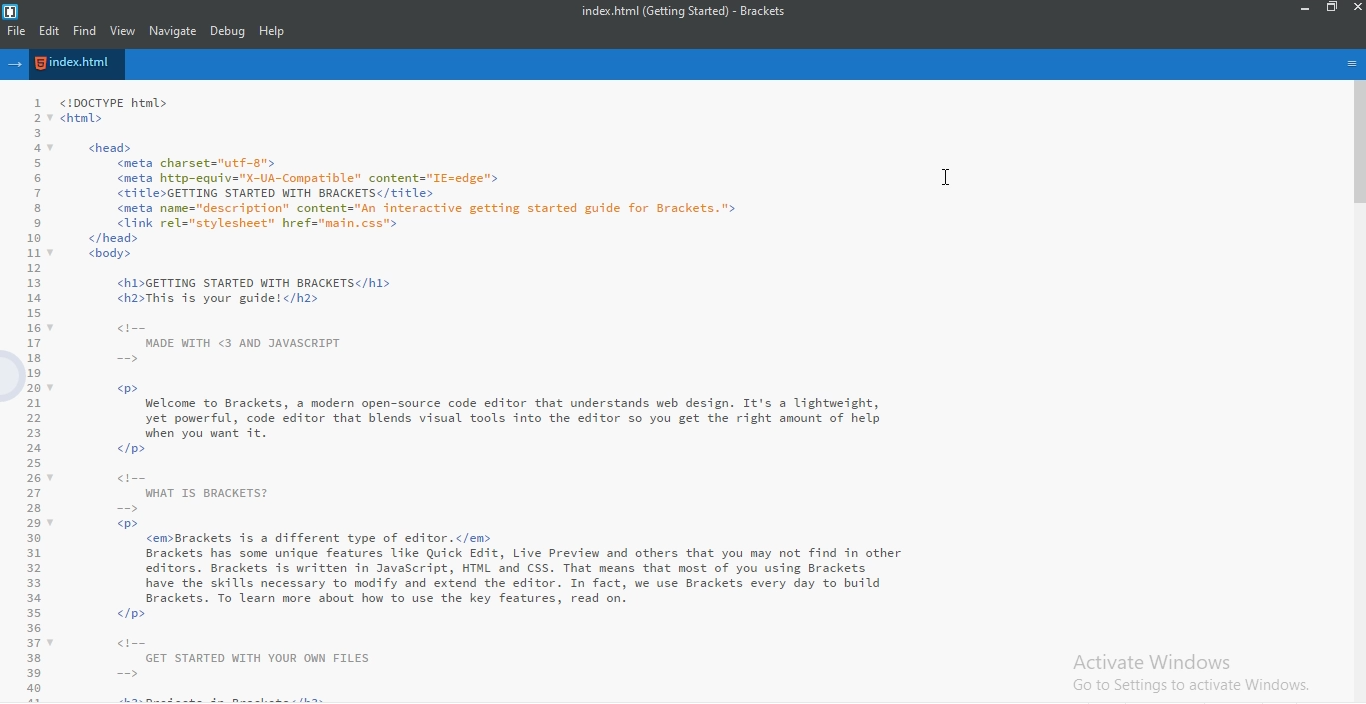 The image size is (1366, 704). I want to click on navigate, so click(174, 31).